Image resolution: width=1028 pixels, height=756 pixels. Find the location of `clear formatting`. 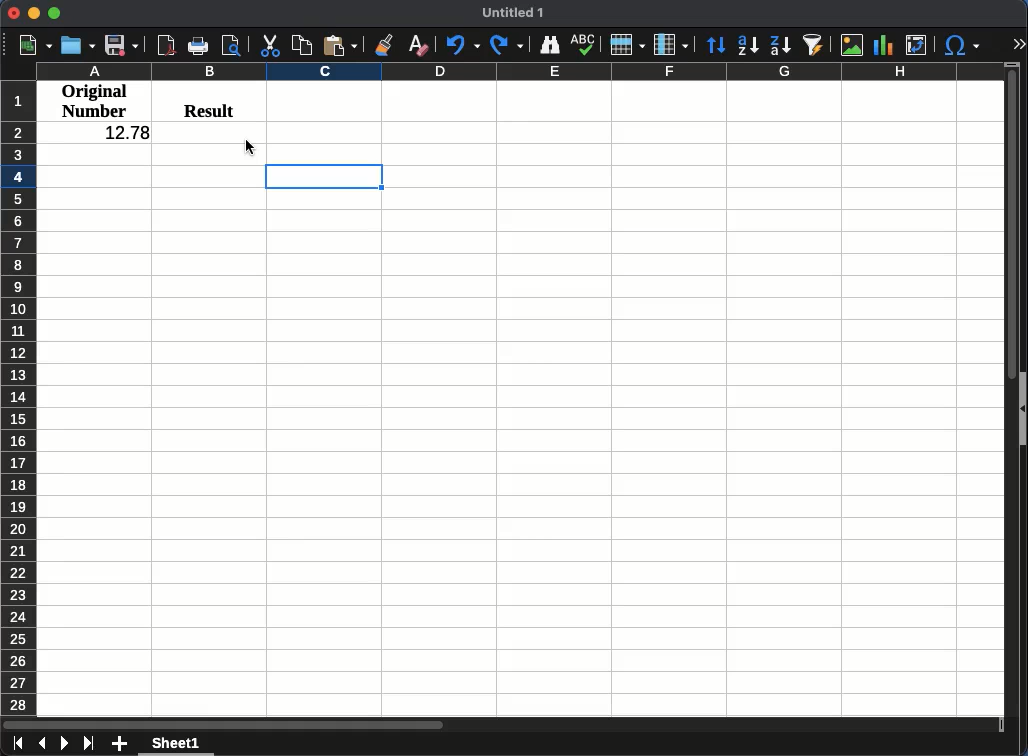

clear formatting is located at coordinates (417, 47).